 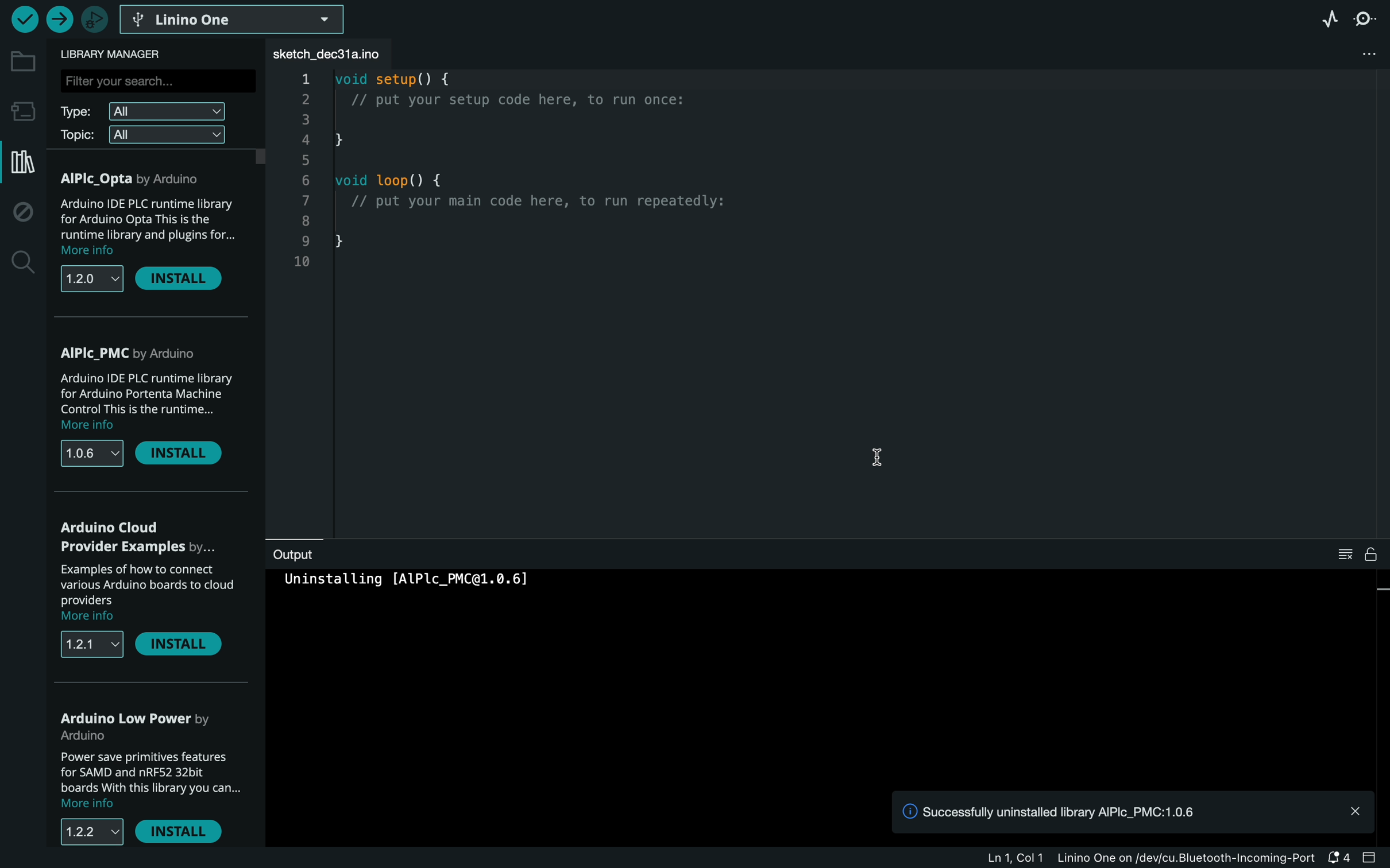 What do you see at coordinates (186, 832) in the screenshot?
I see `install` at bounding box center [186, 832].